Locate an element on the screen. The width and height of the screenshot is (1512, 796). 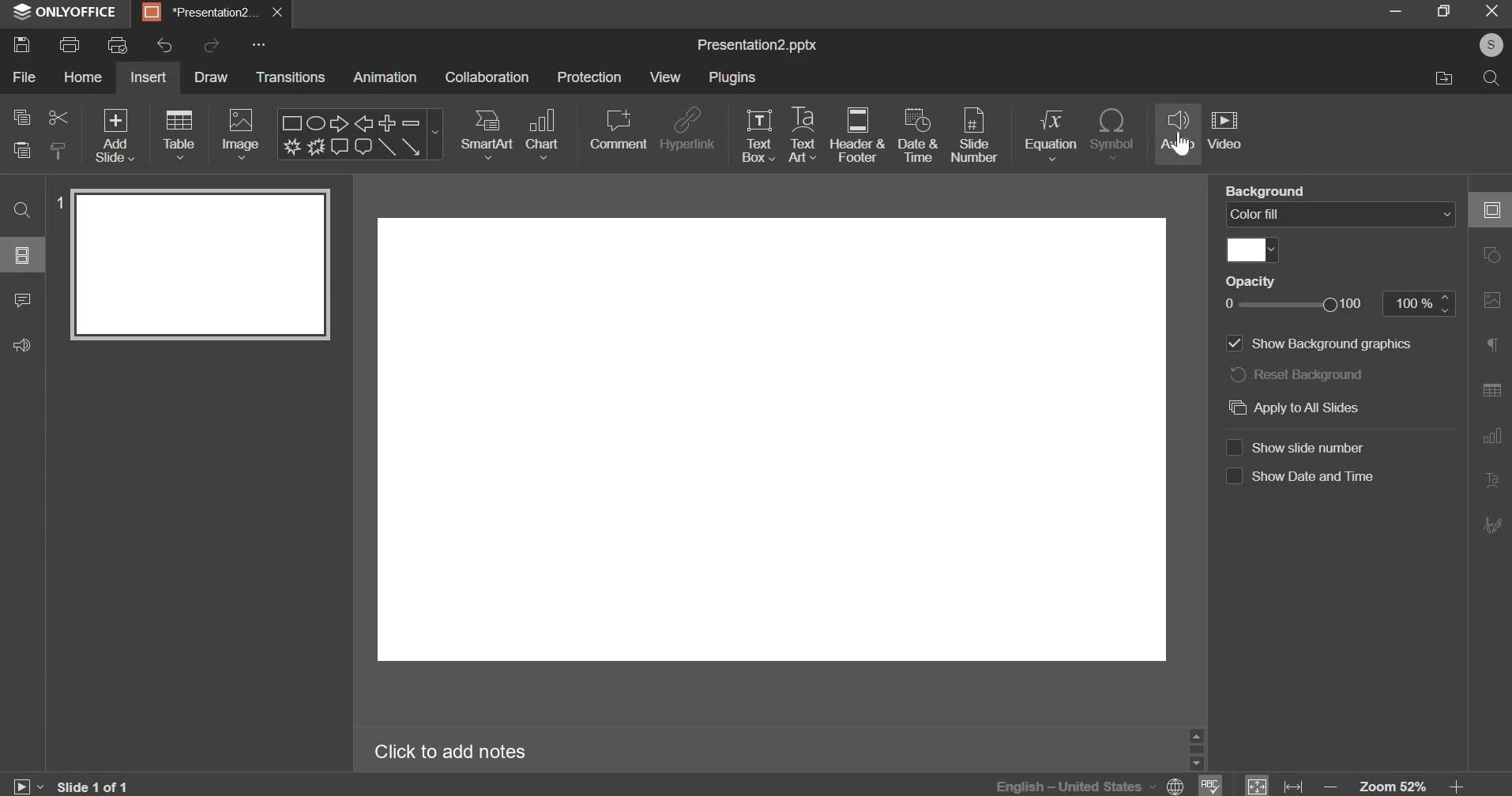
collaboration is located at coordinates (489, 77).